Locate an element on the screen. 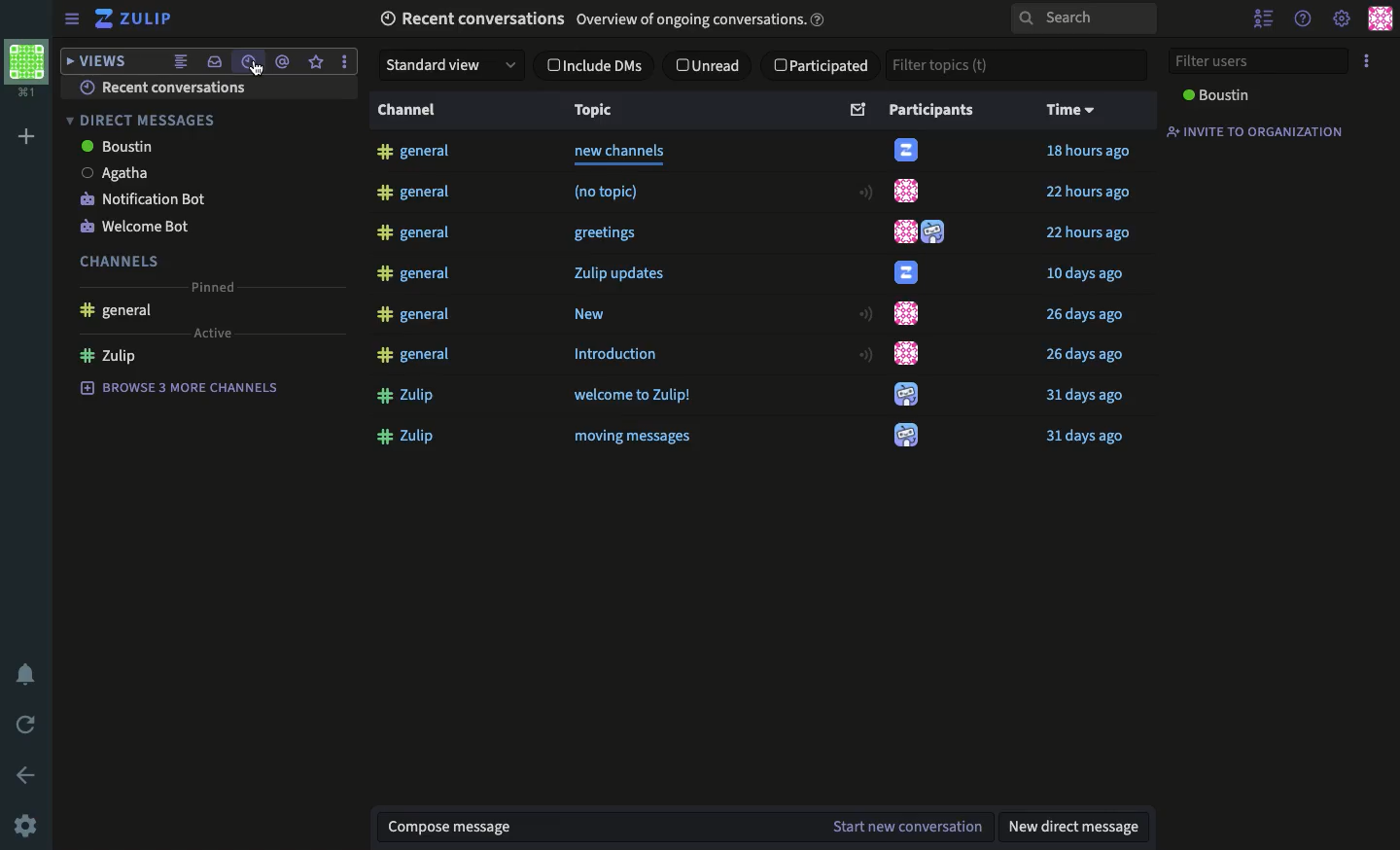 The width and height of the screenshot is (1400, 850). cursor is located at coordinates (257, 72).